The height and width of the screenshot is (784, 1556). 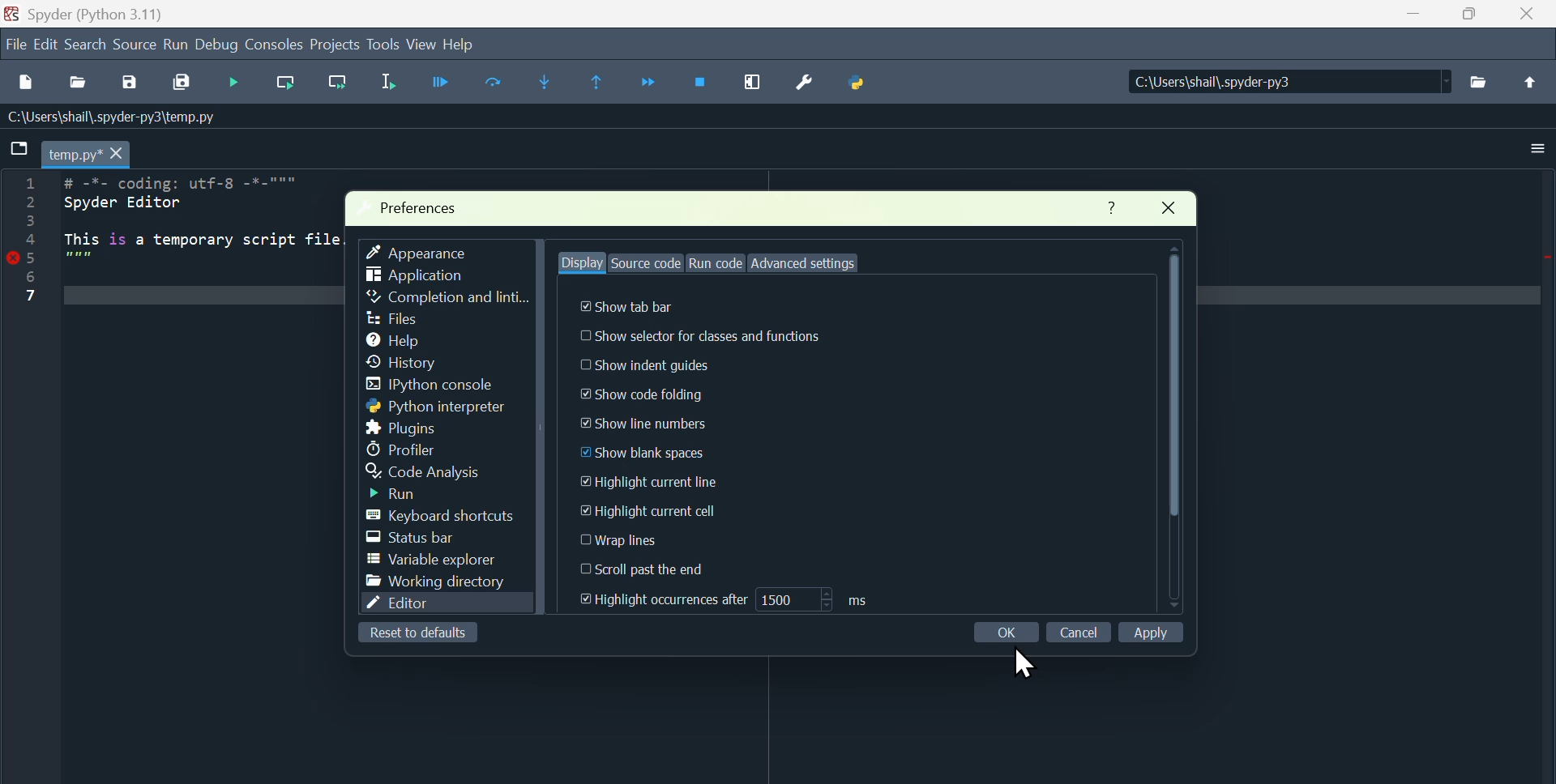 What do you see at coordinates (593, 80) in the screenshot?
I see `Execute until same function returns` at bounding box center [593, 80].